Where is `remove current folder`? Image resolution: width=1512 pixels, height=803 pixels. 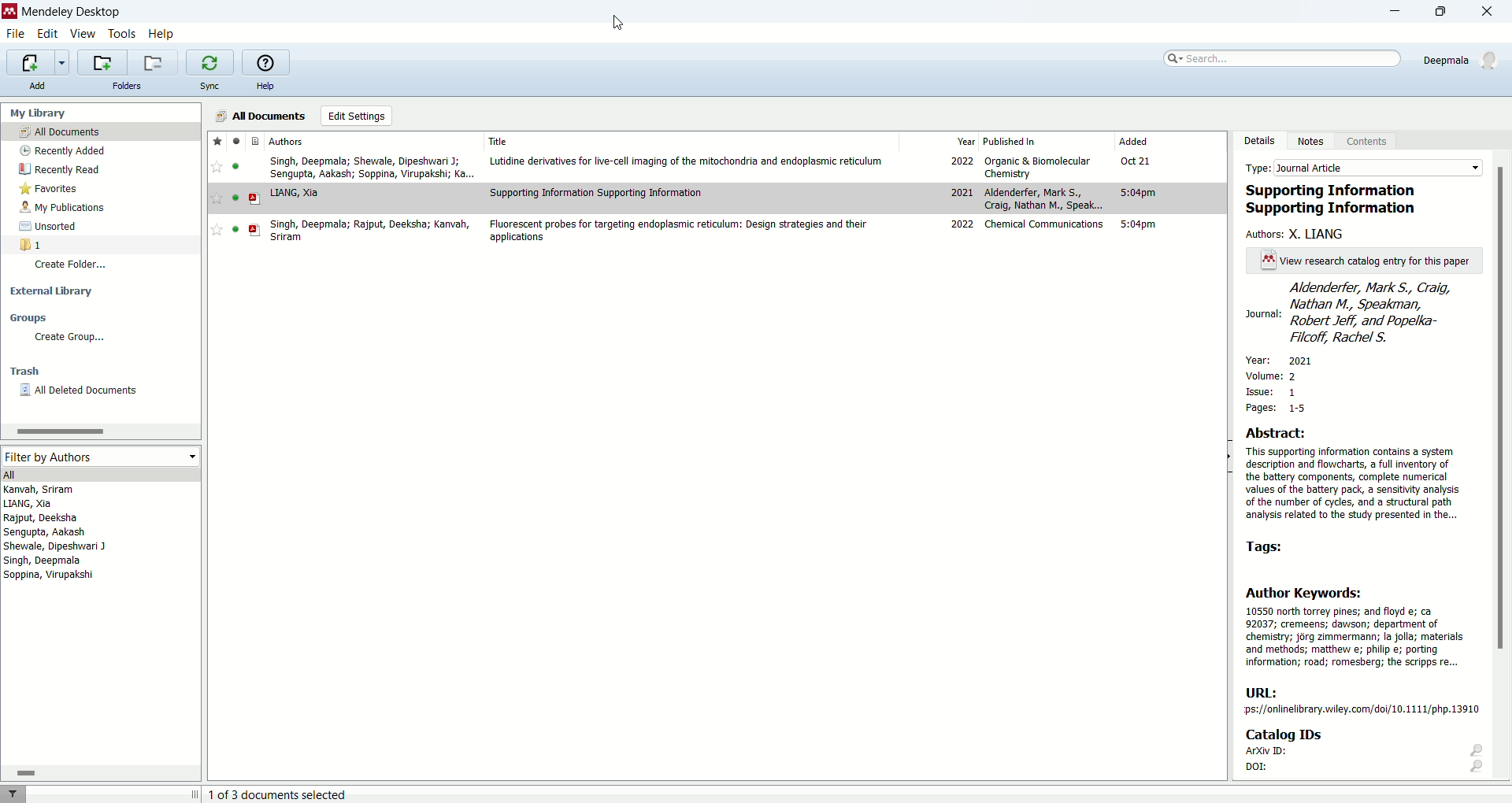
remove current folder is located at coordinates (154, 62).